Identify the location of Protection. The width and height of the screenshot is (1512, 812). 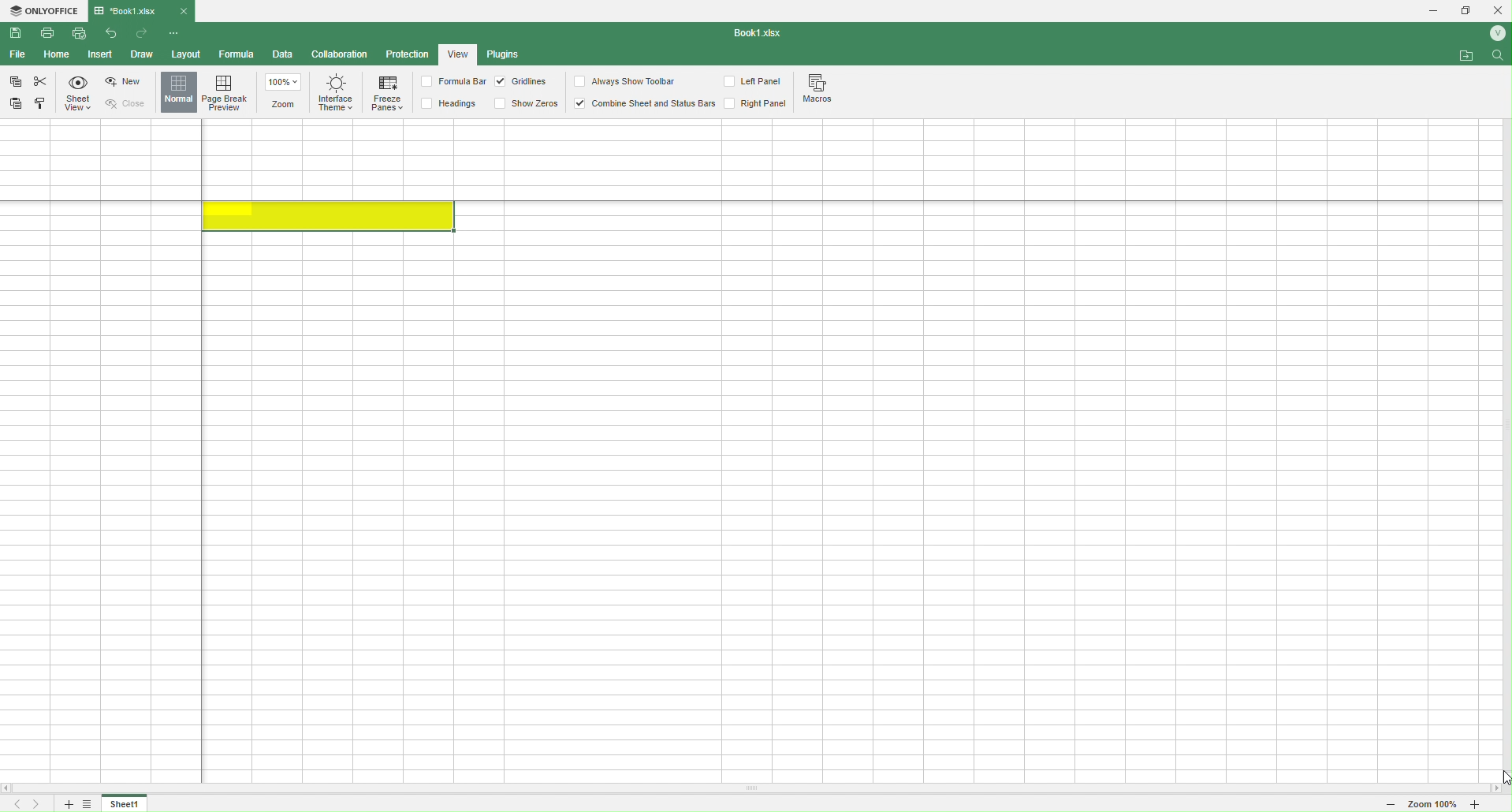
(407, 56).